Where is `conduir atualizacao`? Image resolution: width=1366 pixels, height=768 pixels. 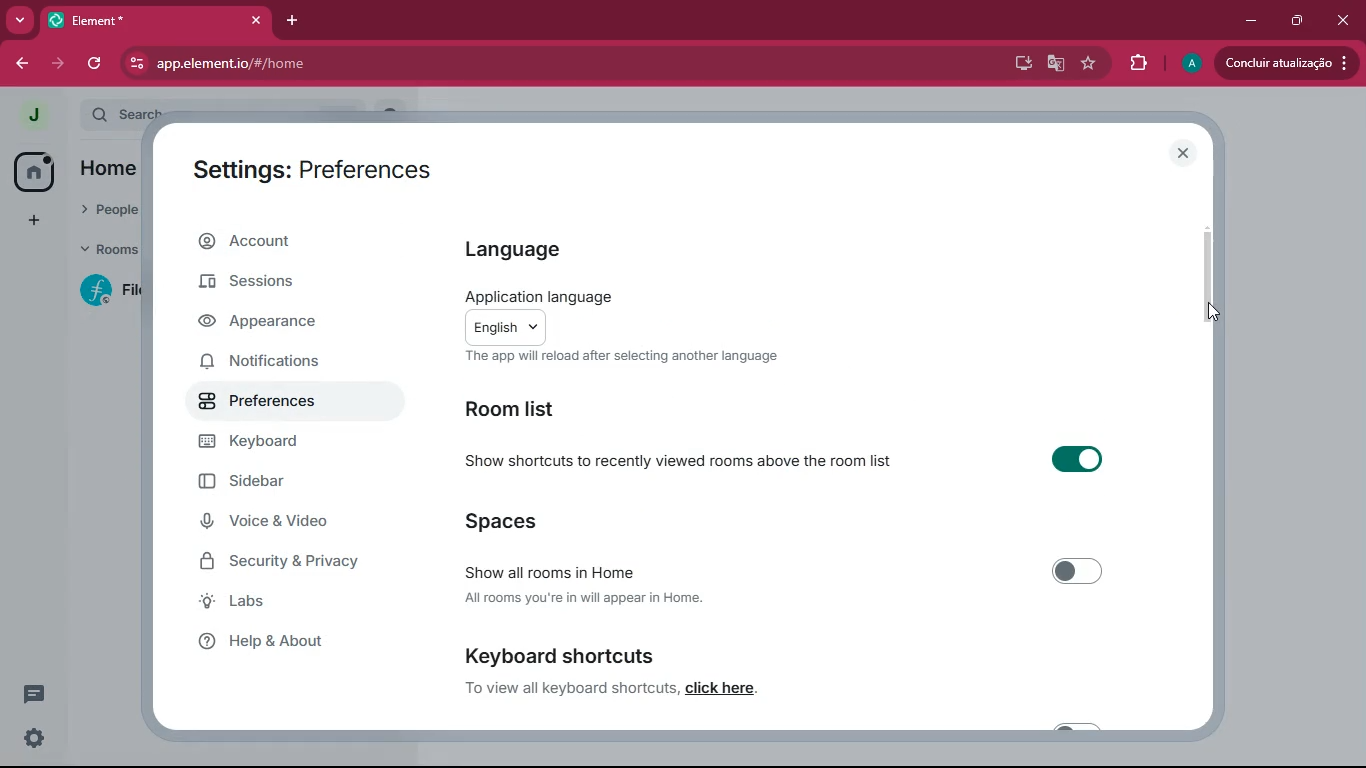 conduir atualizacao is located at coordinates (1285, 61).